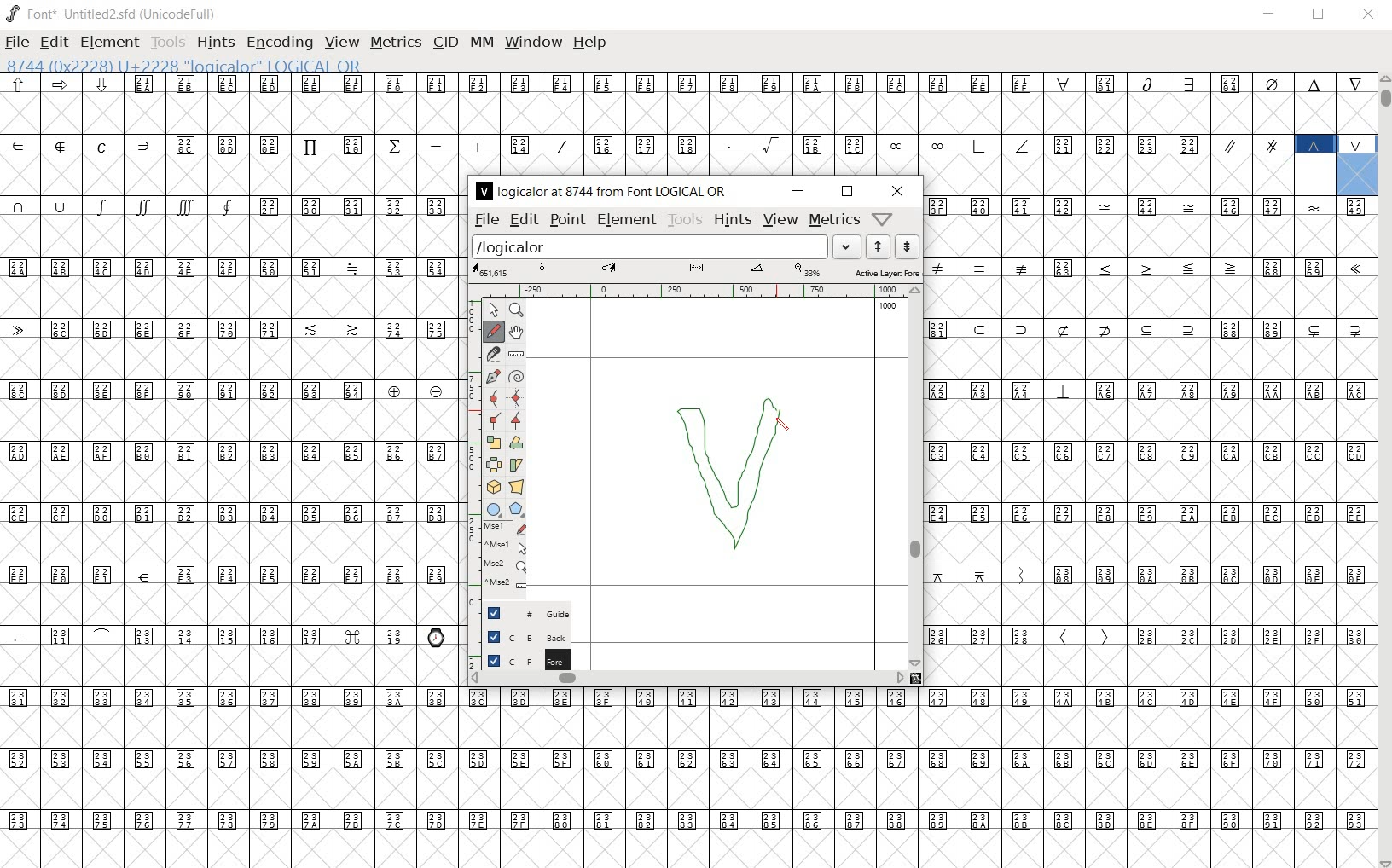 The width and height of the screenshot is (1392, 868). I want to click on Rotate the selection, so click(515, 466).